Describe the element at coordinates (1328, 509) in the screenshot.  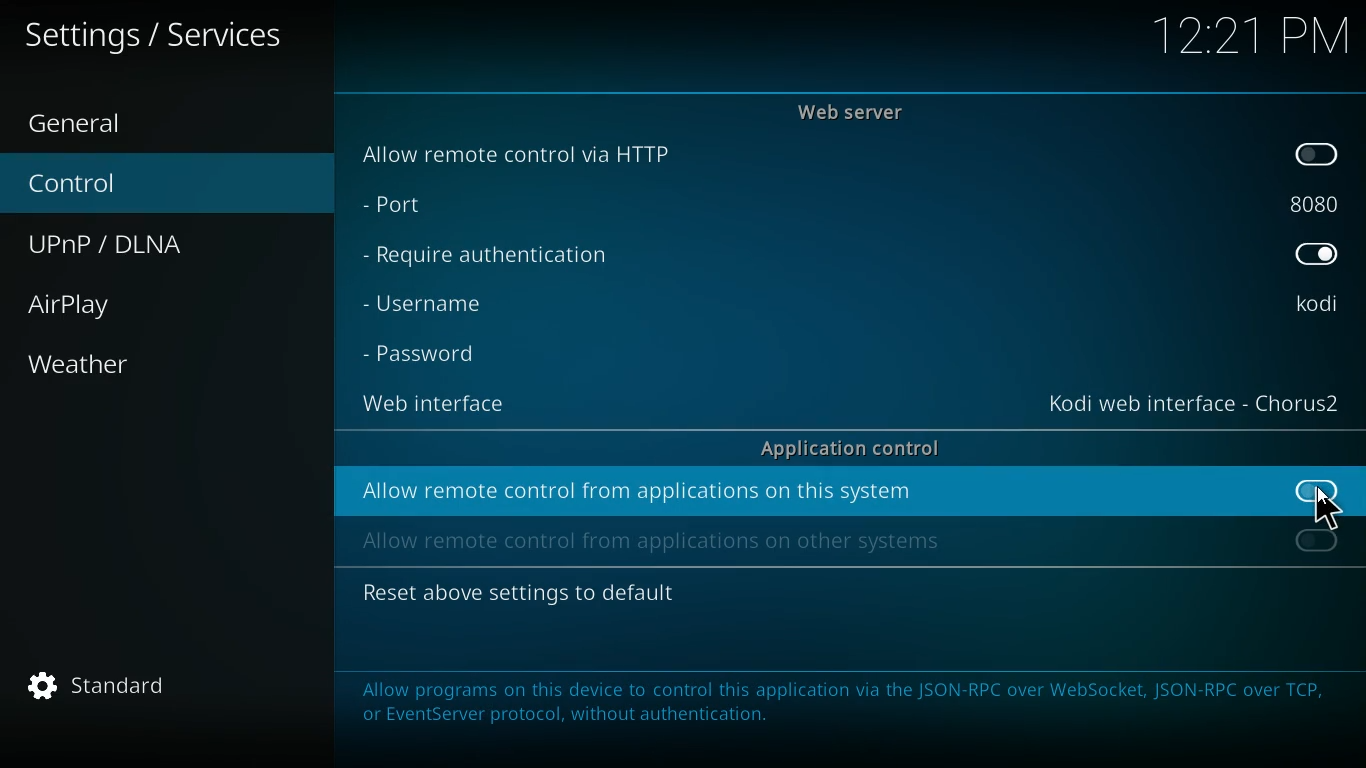
I see `cursor` at that location.